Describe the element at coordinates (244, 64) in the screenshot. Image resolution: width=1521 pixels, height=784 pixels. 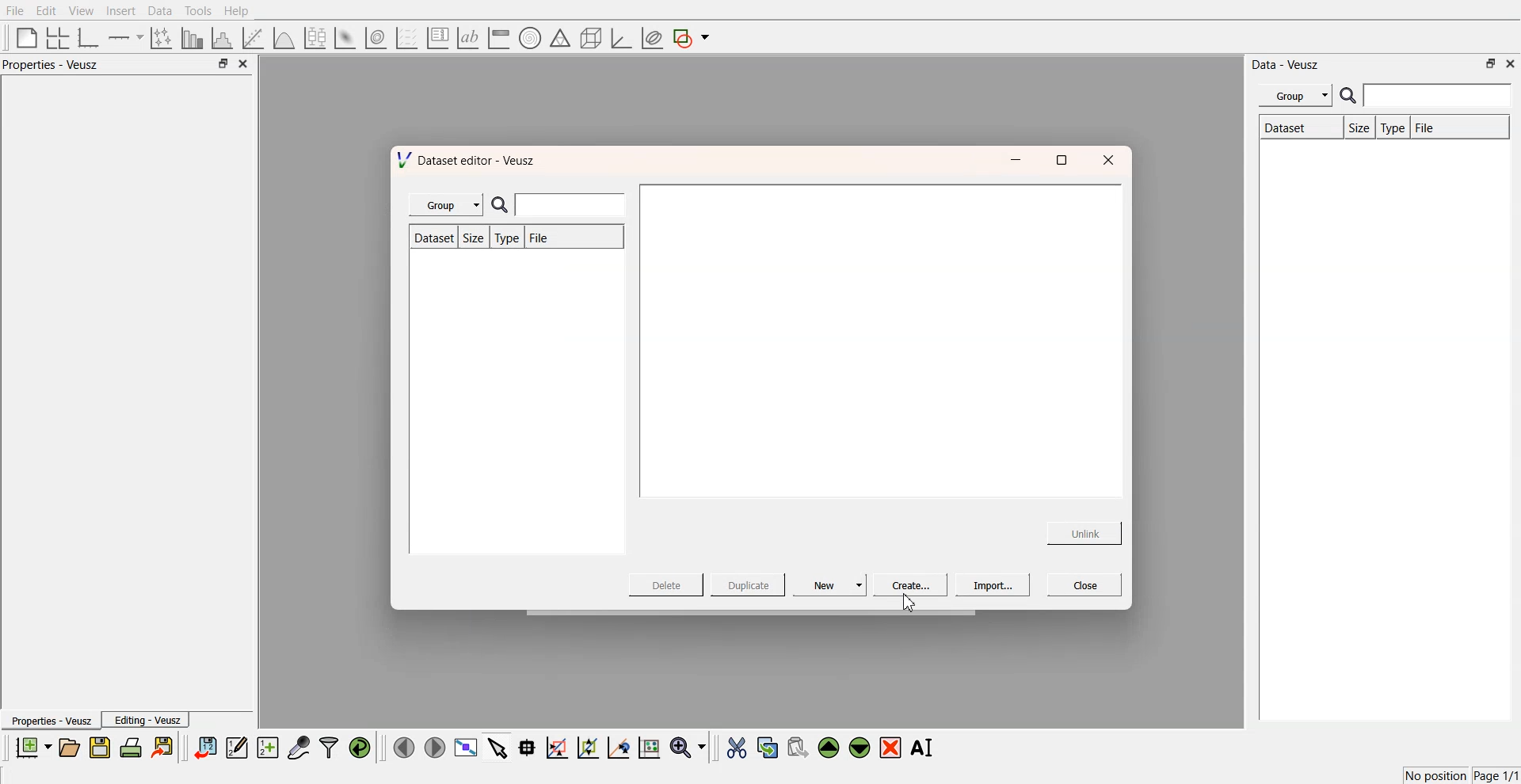
I see `close` at that location.